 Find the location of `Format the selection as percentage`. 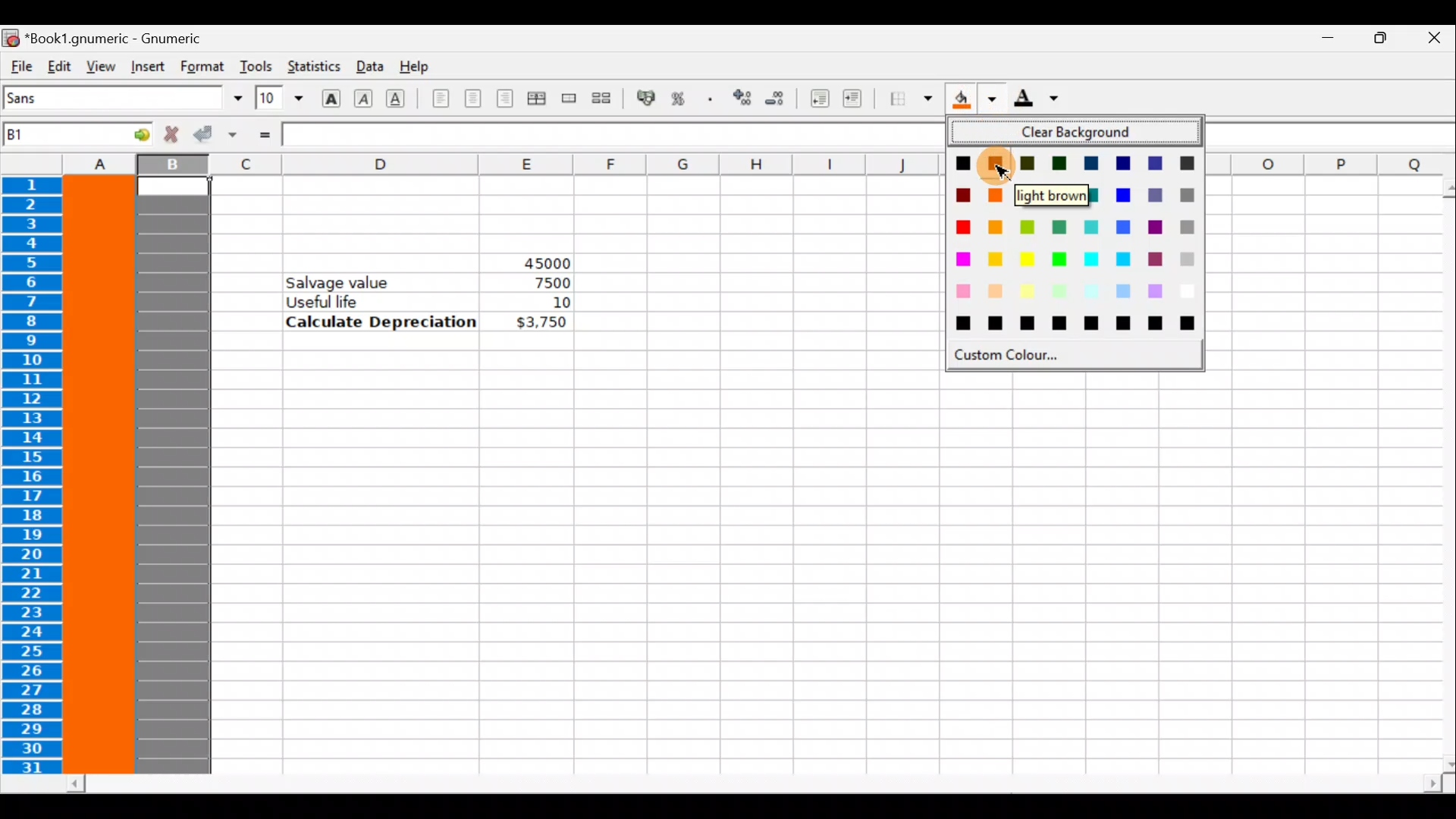

Format the selection as percentage is located at coordinates (681, 101).